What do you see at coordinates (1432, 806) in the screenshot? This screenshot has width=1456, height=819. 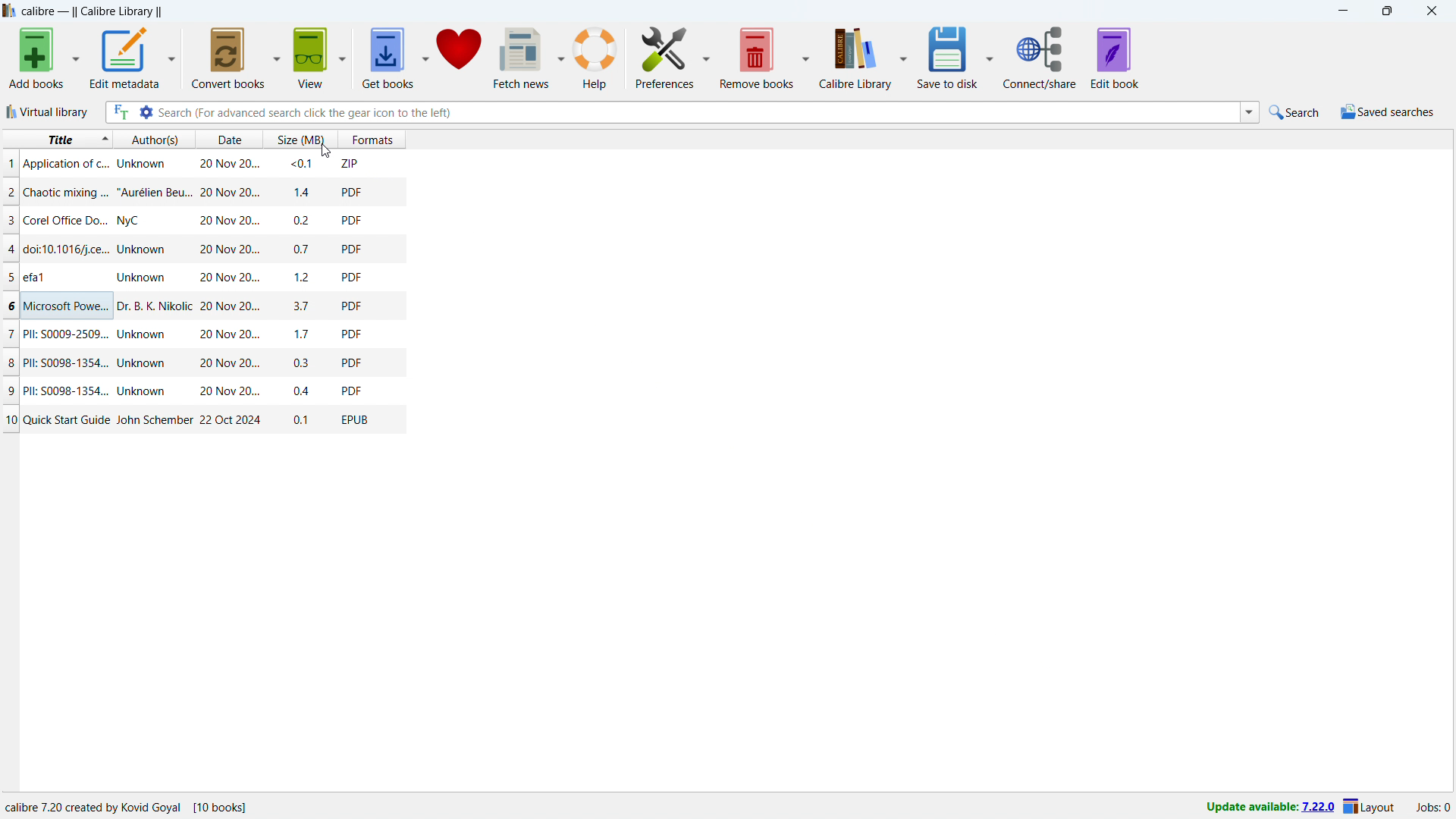 I see `Jobs: 0` at bounding box center [1432, 806].